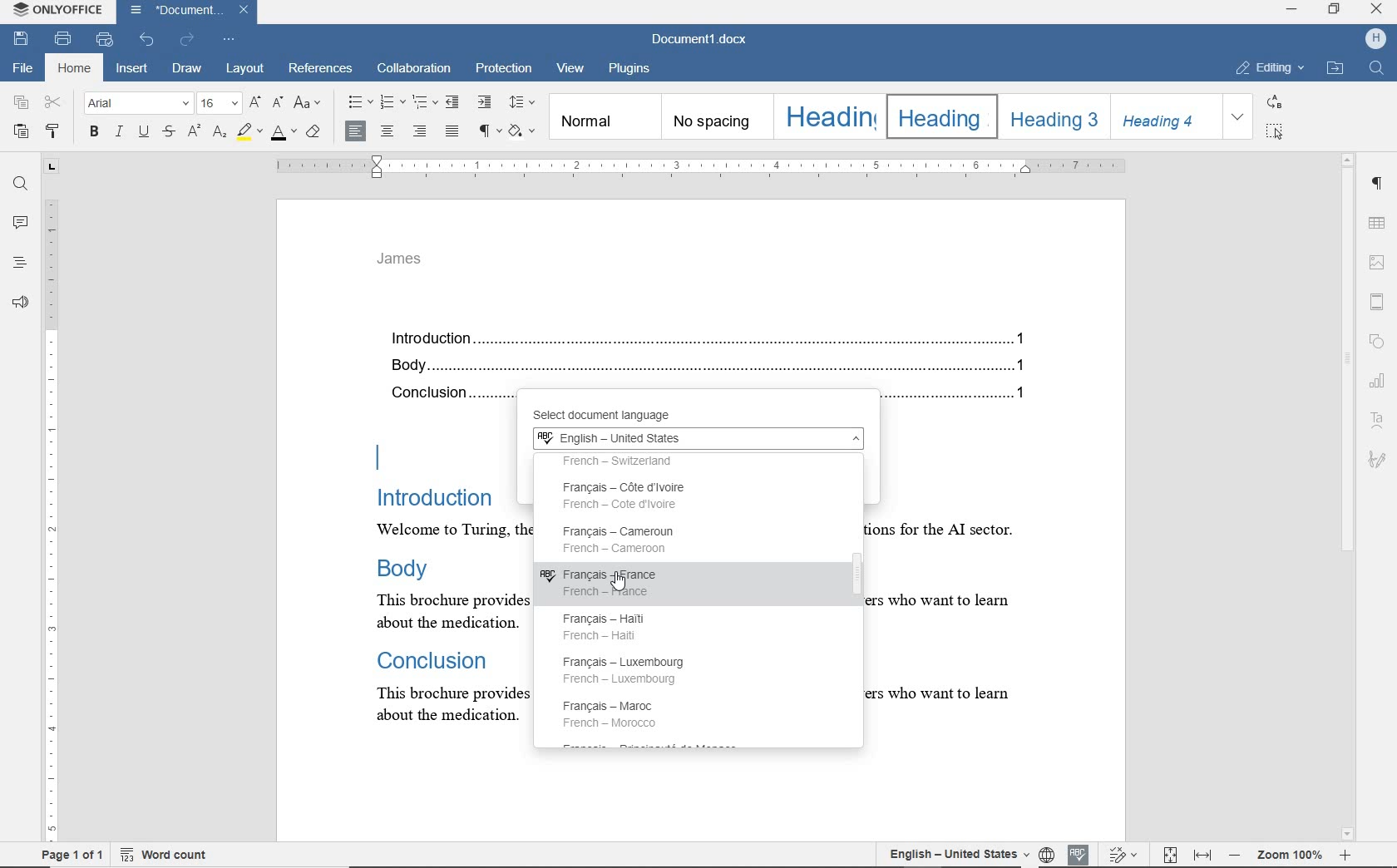 This screenshot has width=1397, height=868. What do you see at coordinates (249, 132) in the screenshot?
I see `highlight color` at bounding box center [249, 132].